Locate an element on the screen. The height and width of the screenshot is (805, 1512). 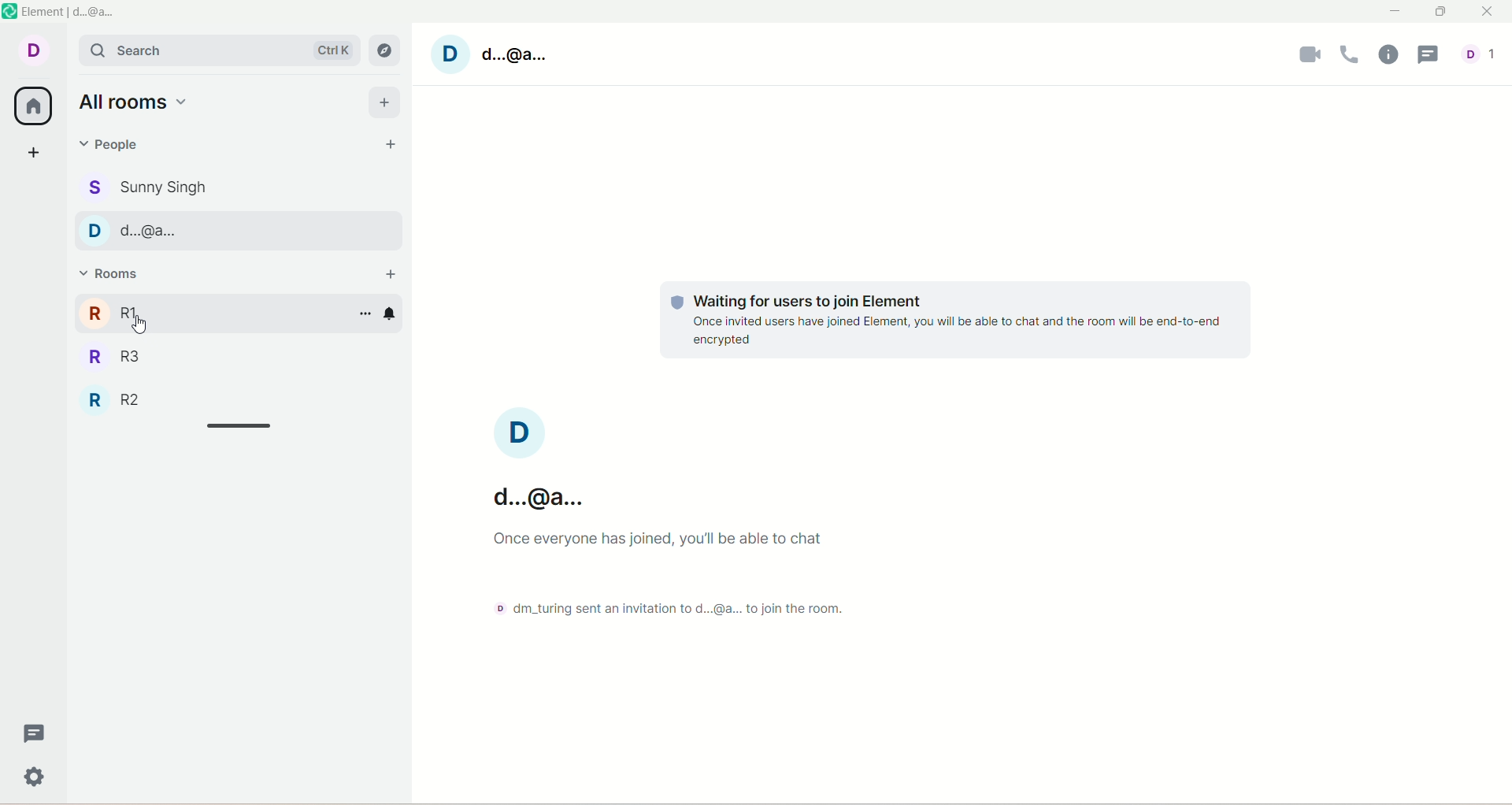
account is located at coordinates (1476, 54).